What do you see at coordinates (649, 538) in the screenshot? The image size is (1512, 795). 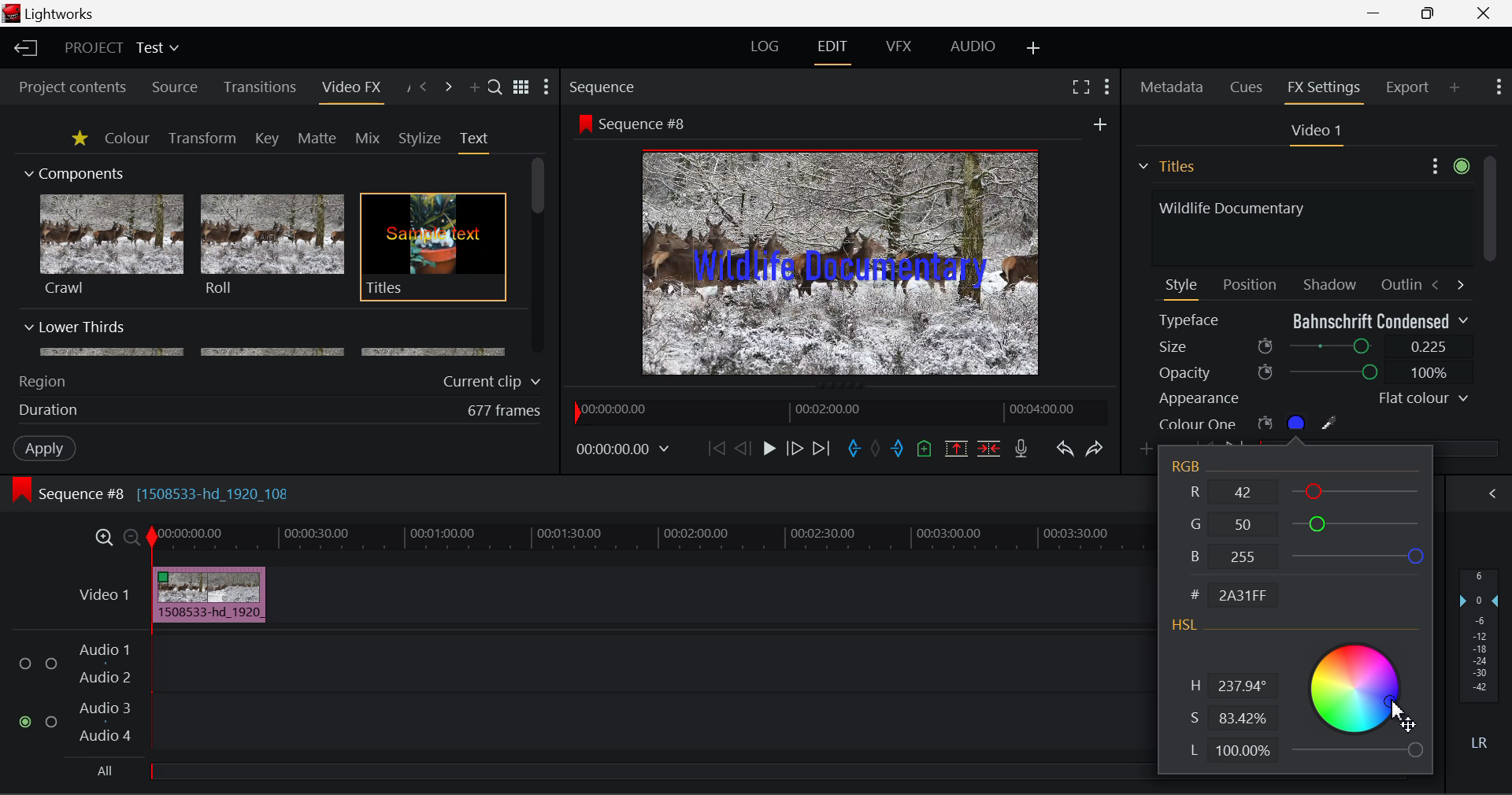 I see `Project Timeline` at bounding box center [649, 538].